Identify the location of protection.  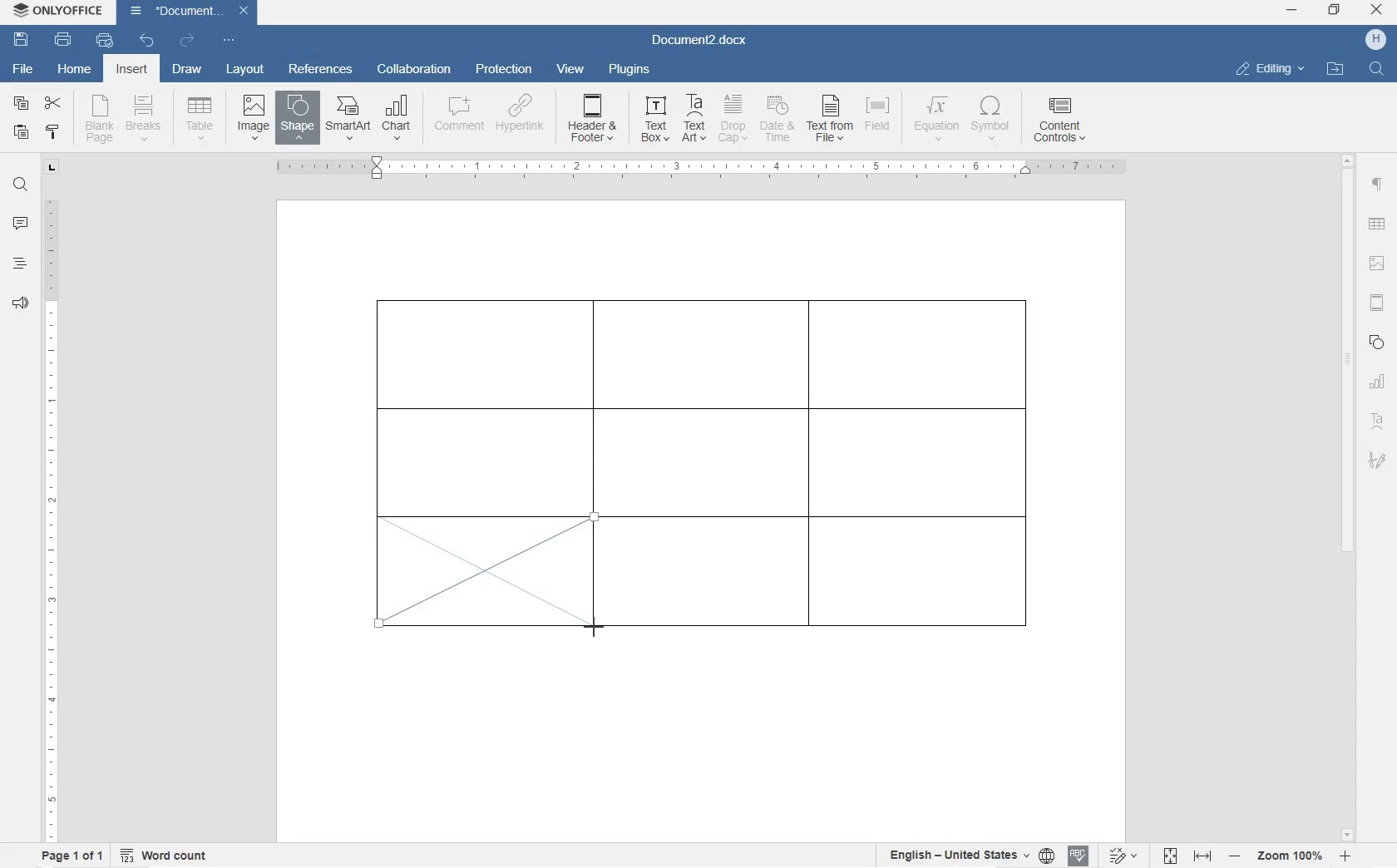
(506, 70).